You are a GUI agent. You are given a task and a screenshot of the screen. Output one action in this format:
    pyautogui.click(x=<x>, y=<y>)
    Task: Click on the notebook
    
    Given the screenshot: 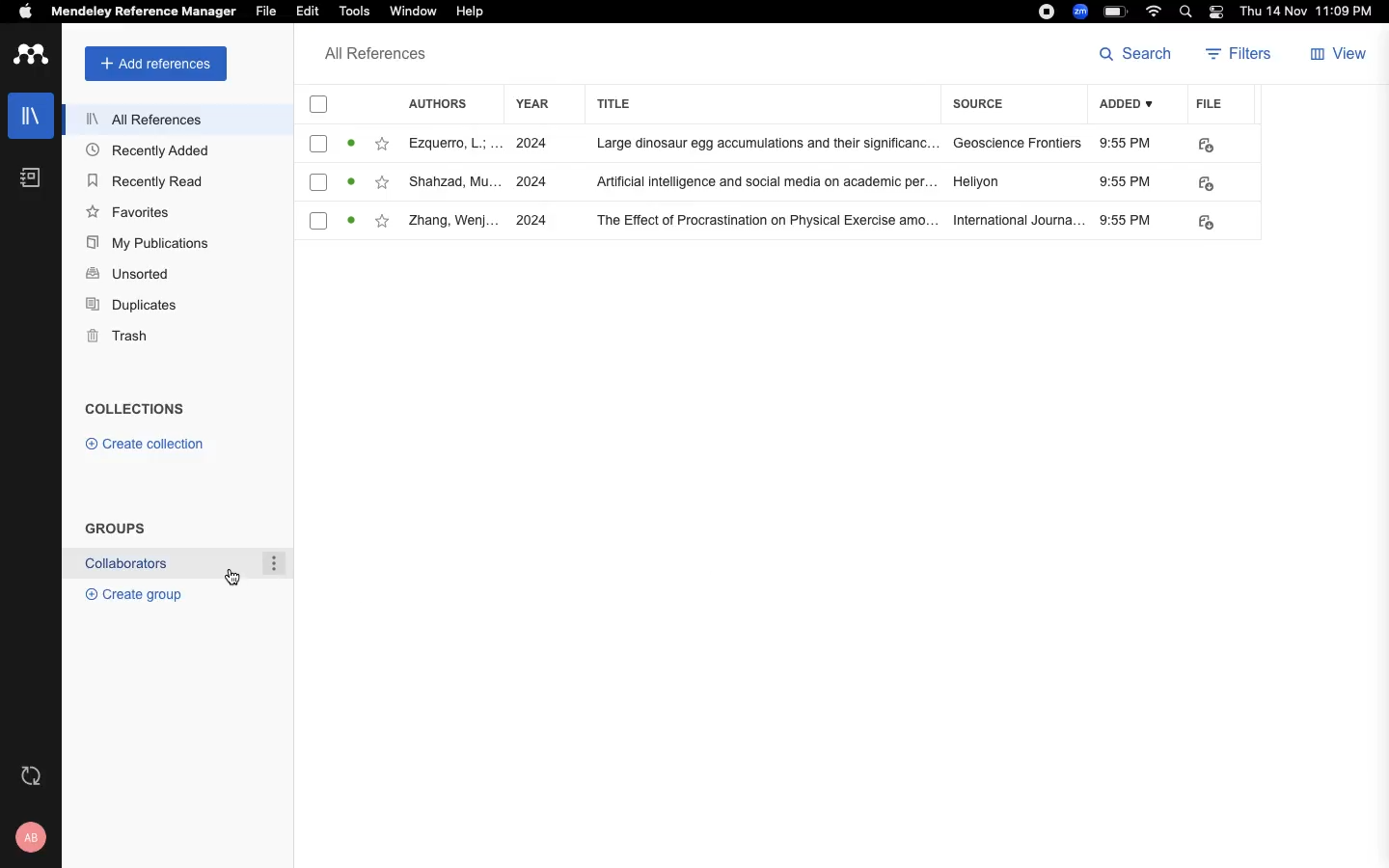 What is the action you would take?
    pyautogui.click(x=25, y=182)
    